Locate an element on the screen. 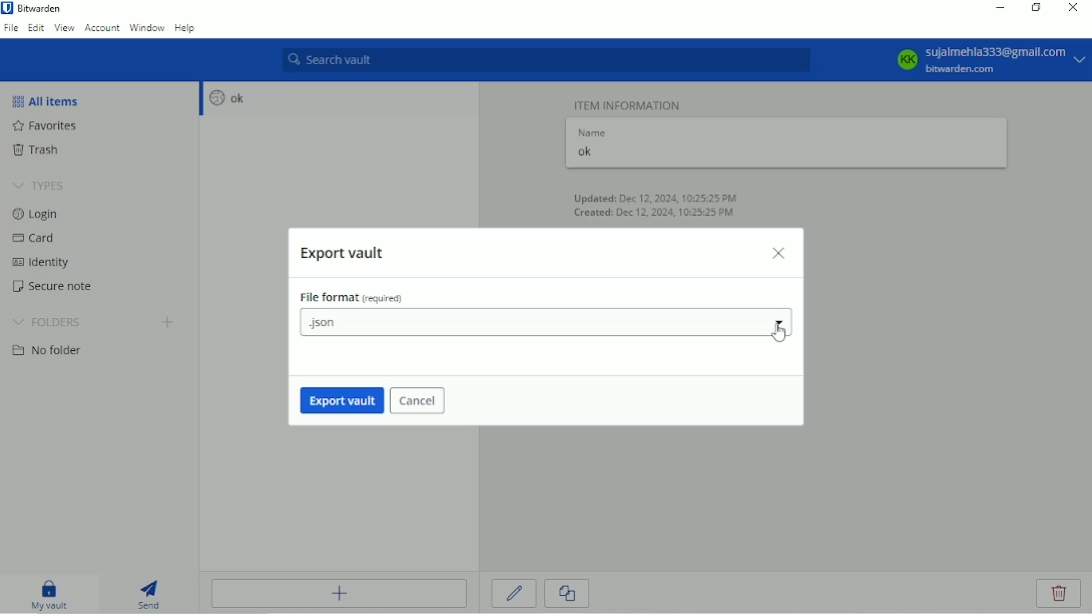  Delete is located at coordinates (1060, 594).